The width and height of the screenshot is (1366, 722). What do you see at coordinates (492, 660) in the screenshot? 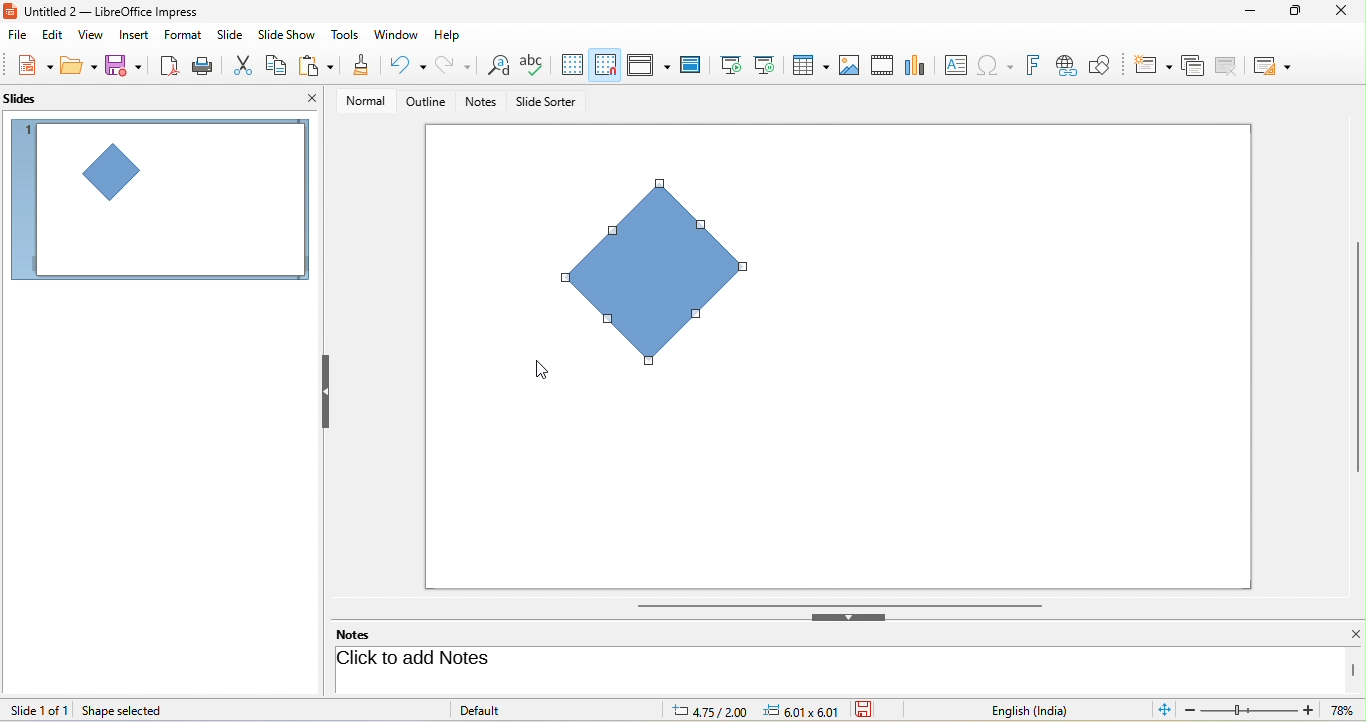
I see `click to add notes` at bounding box center [492, 660].